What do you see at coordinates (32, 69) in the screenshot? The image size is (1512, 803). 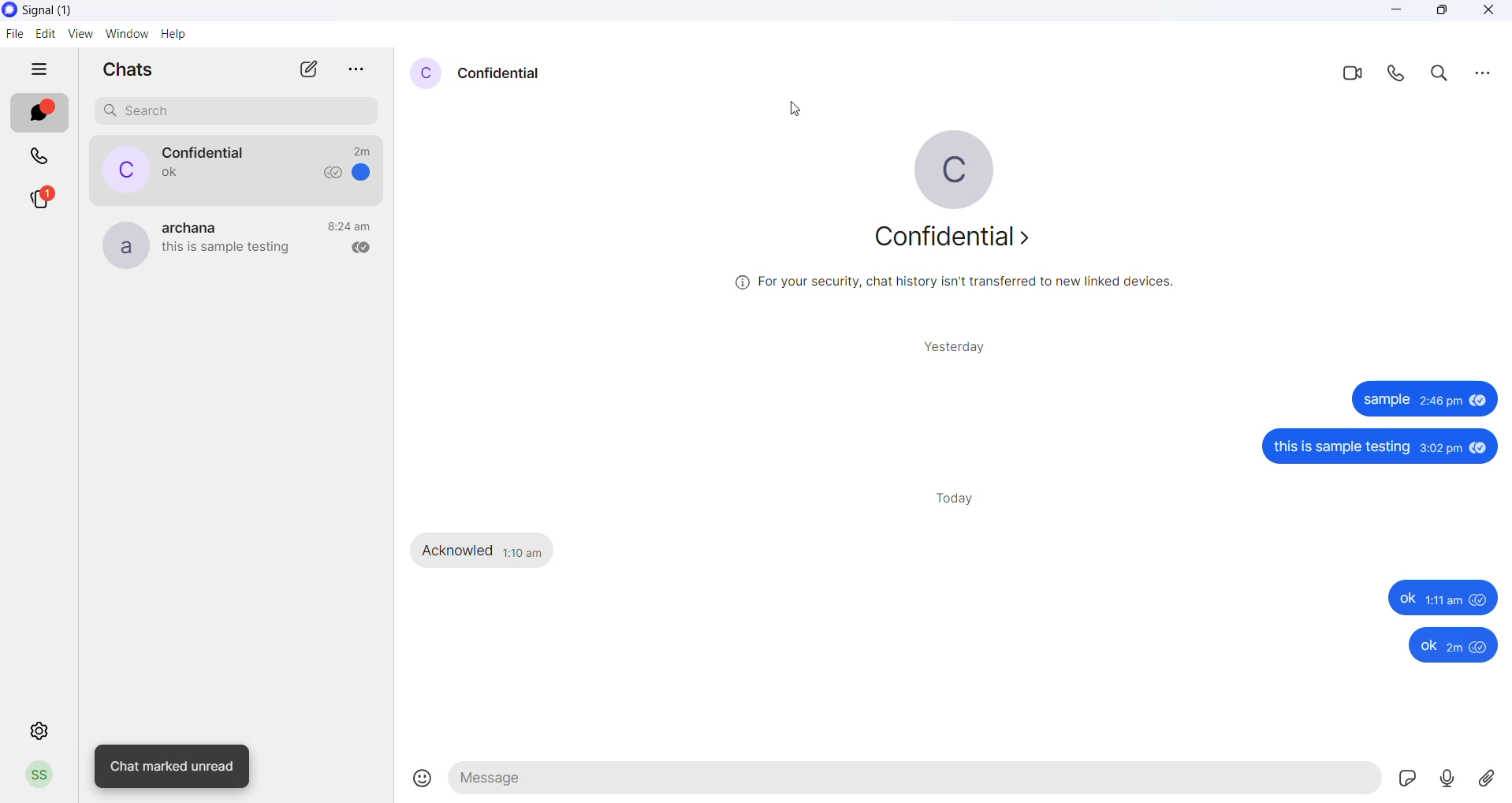 I see `hide` at bounding box center [32, 69].